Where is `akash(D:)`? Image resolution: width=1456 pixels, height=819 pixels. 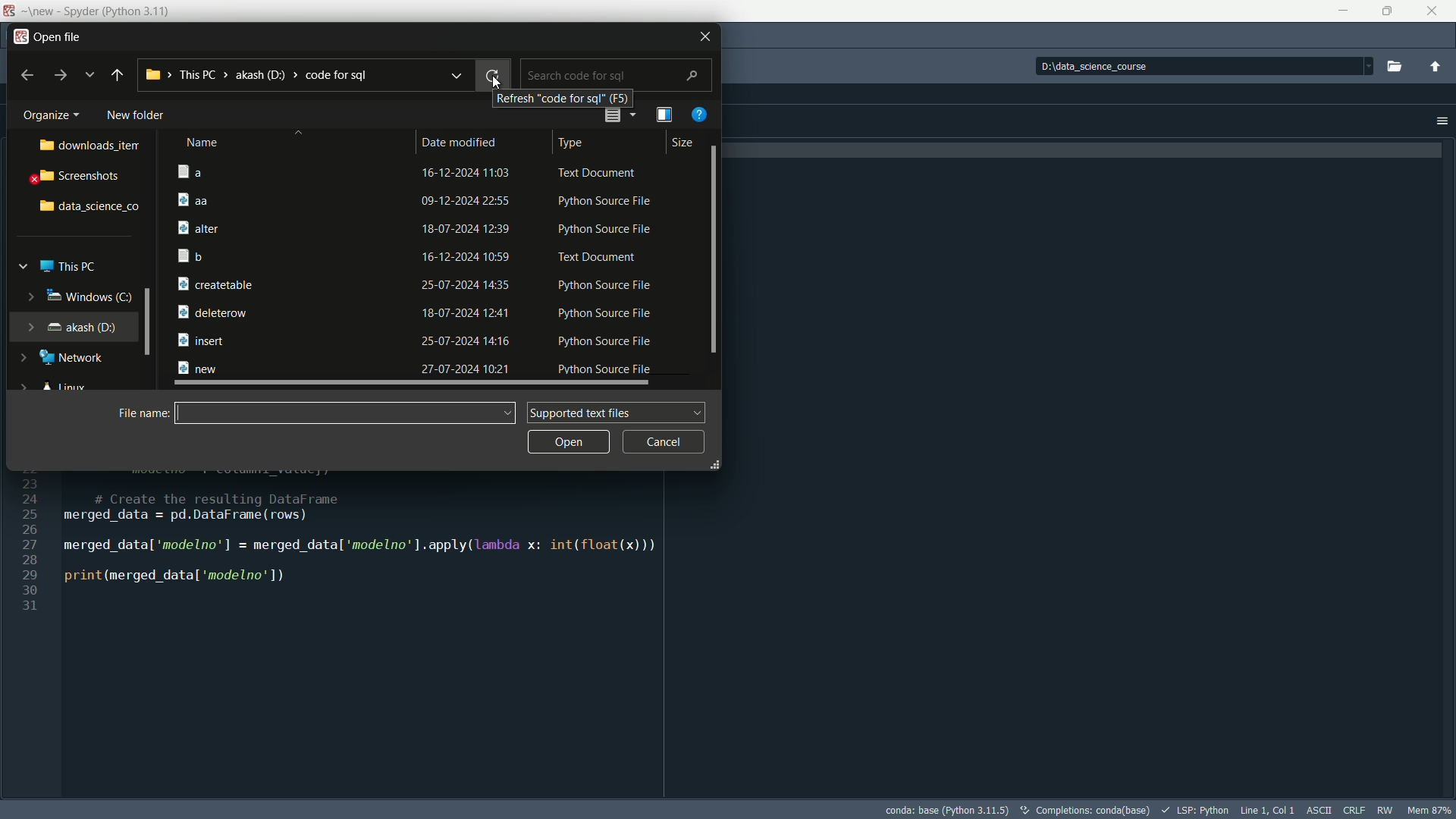
akash(D:) is located at coordinates (82, 326).